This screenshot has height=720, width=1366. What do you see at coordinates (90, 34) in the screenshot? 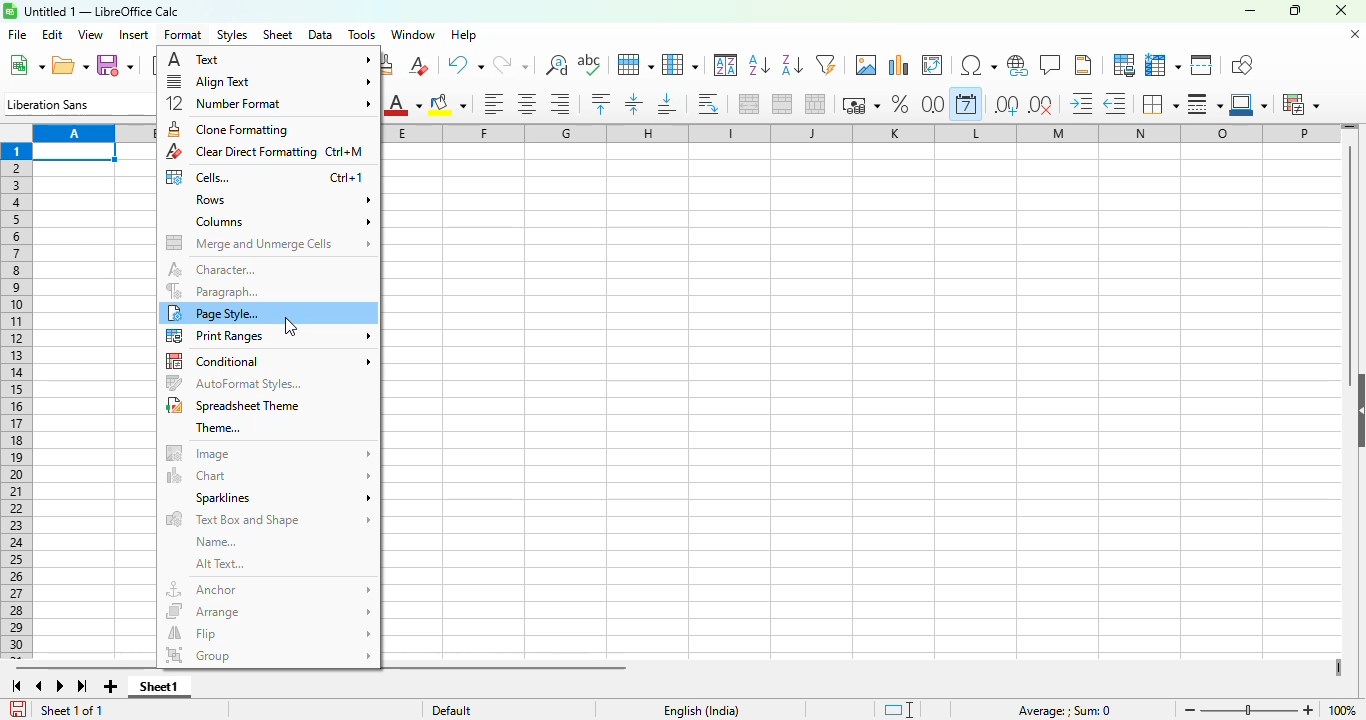
I see `view` at bounding box center [90, 34].